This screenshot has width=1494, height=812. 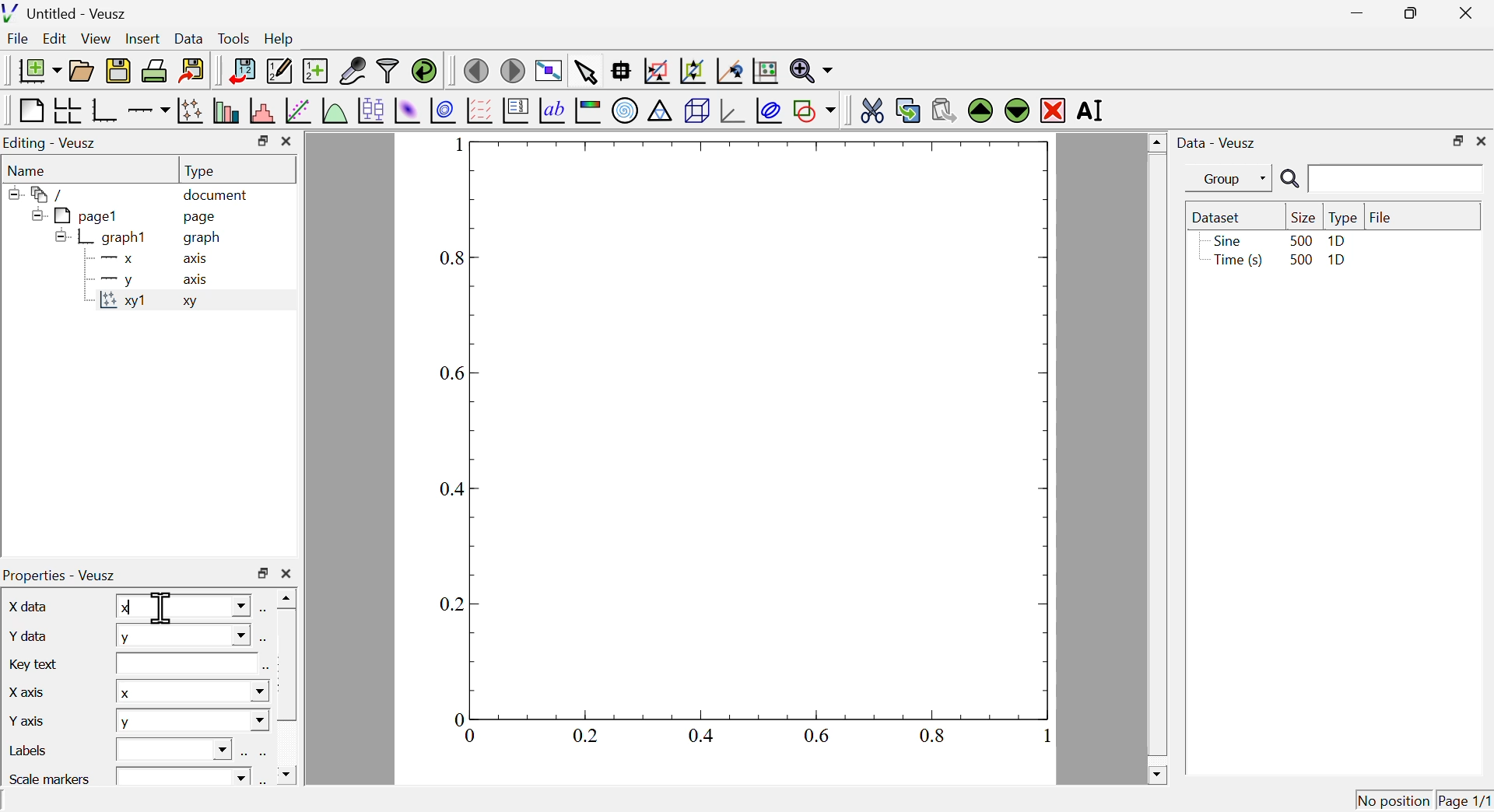 What do you see at coordinates (697, 112) in the screenshot?
I see `3d scene` at bounding box center [697, 112].